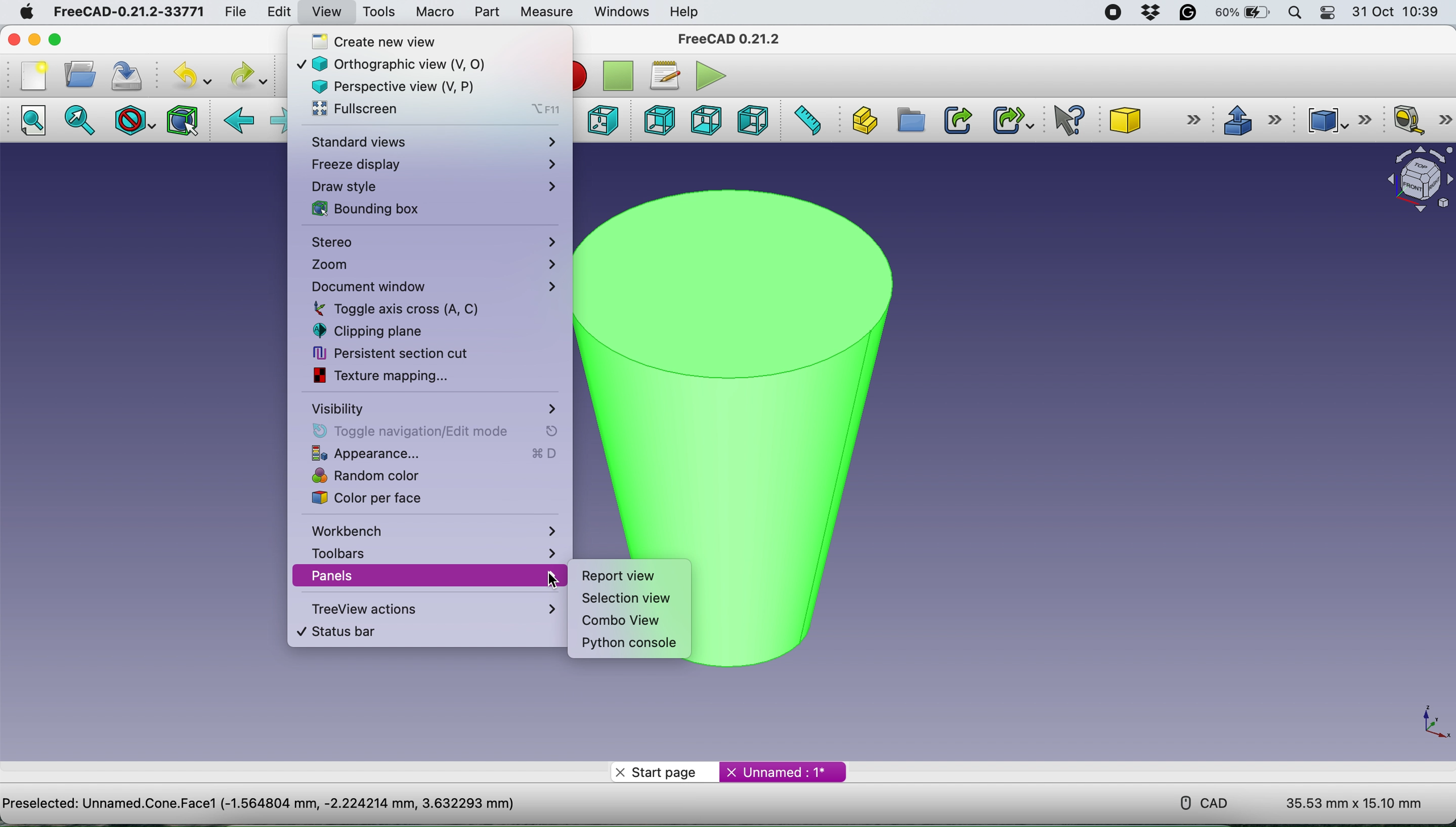 The height and width of the screenshot is (827, 1456). Describe the element at coordinates (1157, 122) in the screenshot. I see `cone` at that location.